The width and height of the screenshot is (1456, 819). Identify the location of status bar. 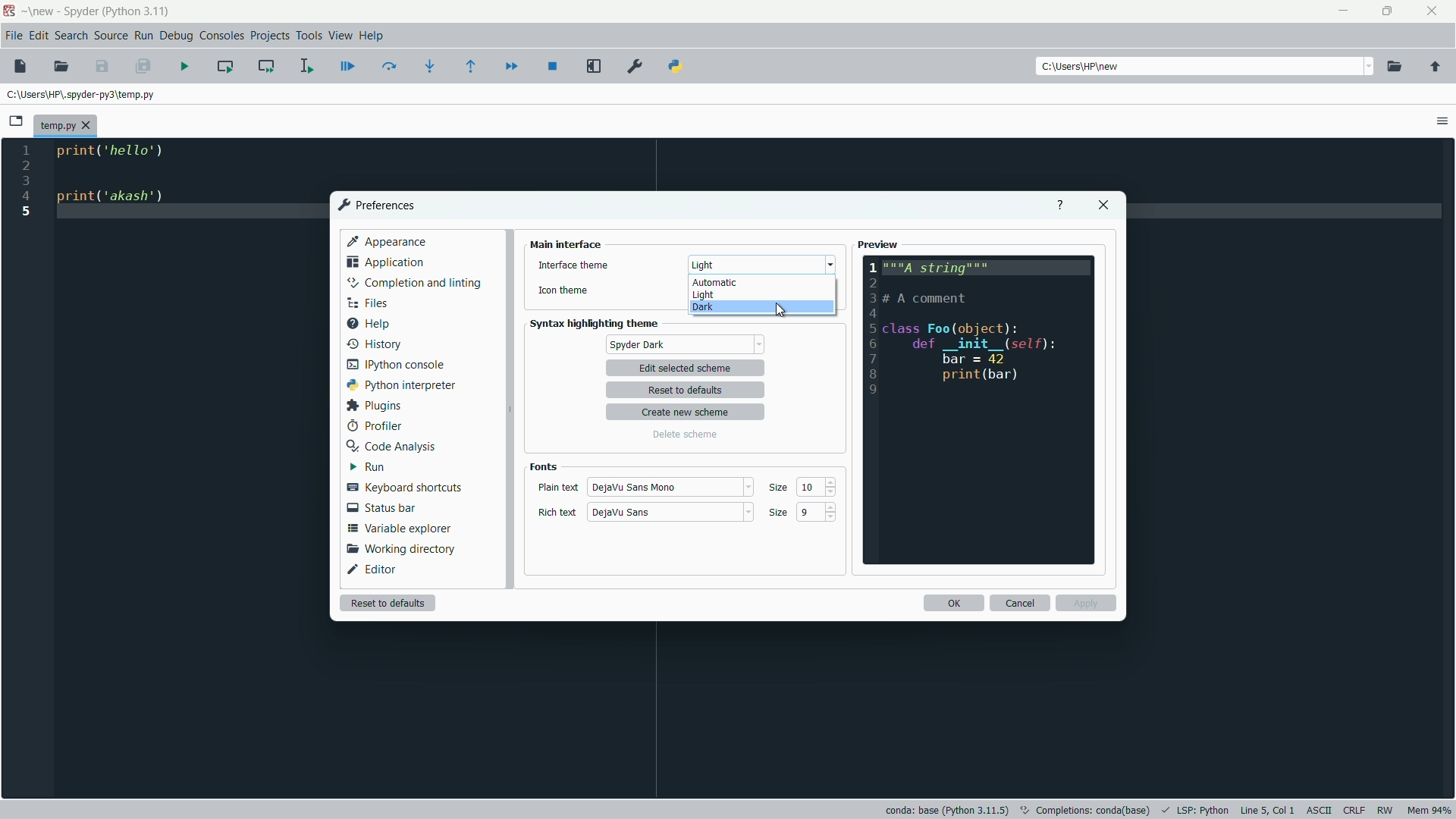
(380, 507).